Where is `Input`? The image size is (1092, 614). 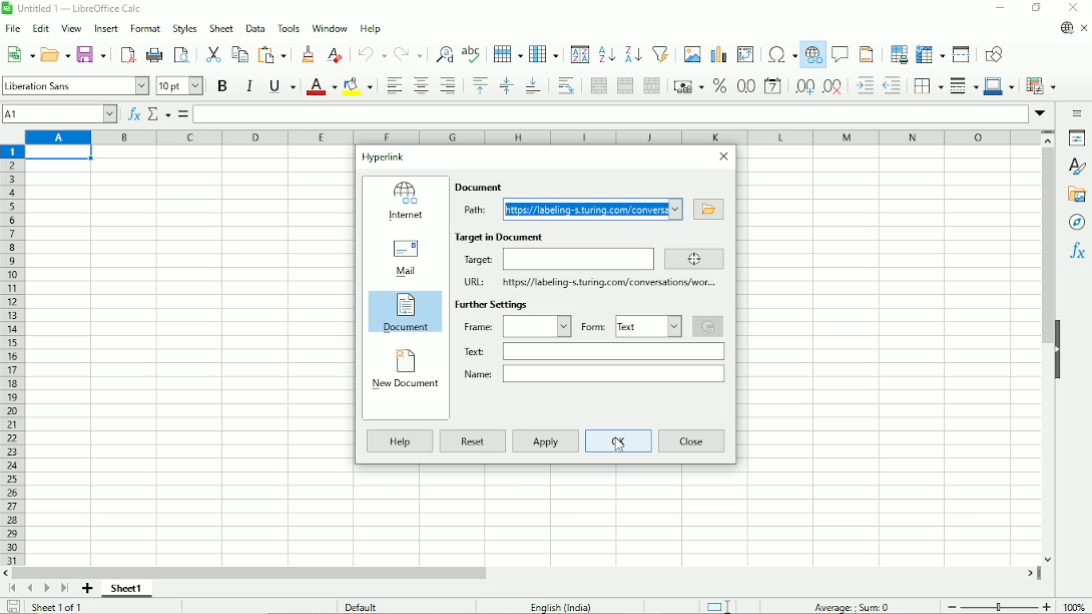 Input is located at coordinates (611, 373).